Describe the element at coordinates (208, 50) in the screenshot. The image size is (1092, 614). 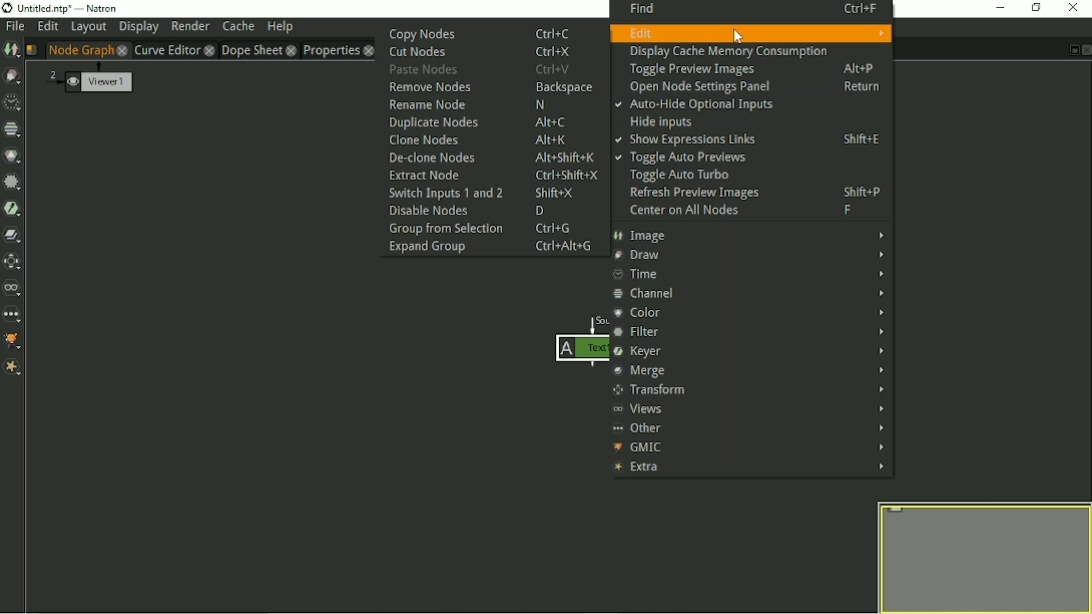
I see `close` at that location.